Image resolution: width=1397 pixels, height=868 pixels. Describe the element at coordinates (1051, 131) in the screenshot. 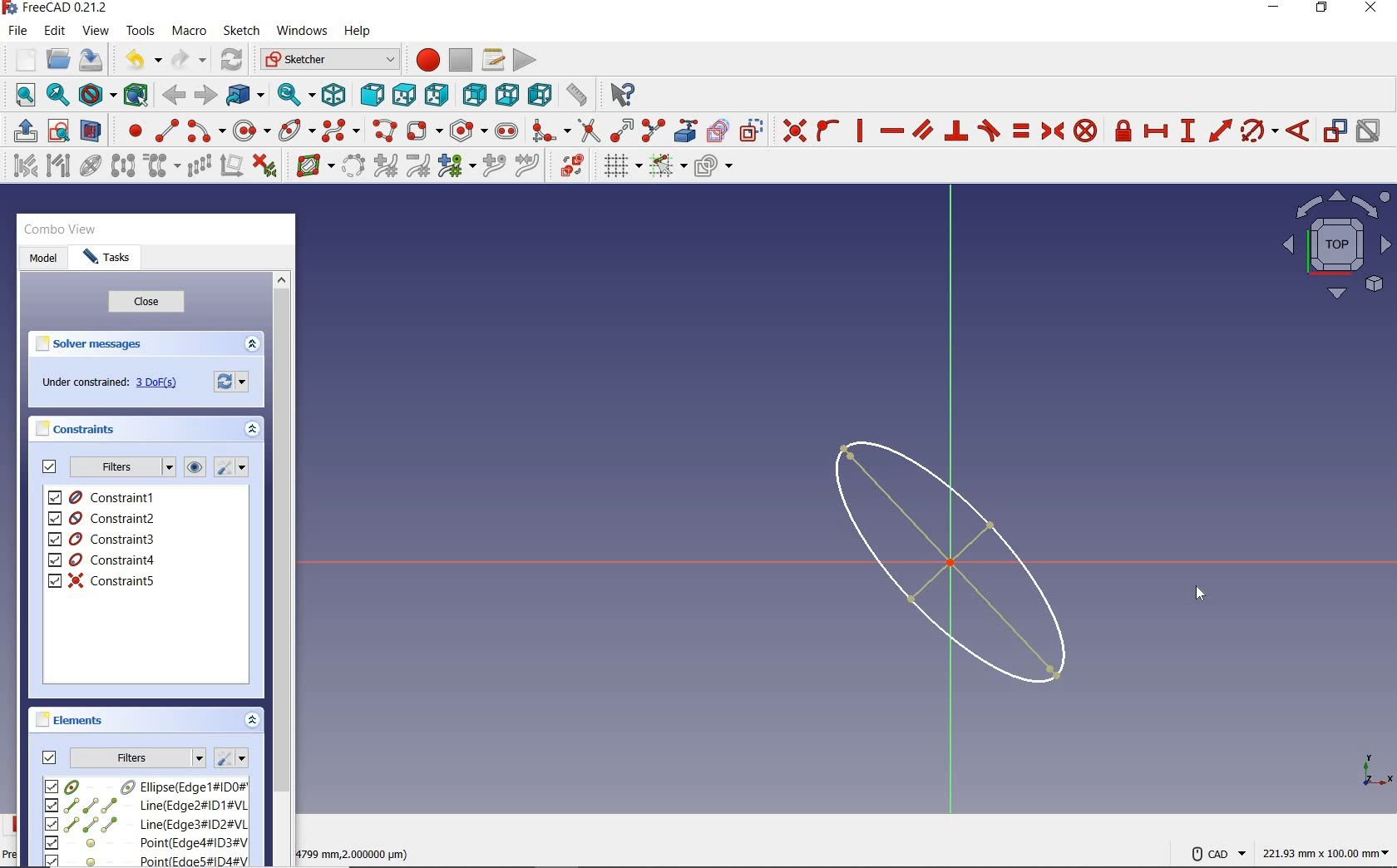

I see `constrain symmetrical` at that location.